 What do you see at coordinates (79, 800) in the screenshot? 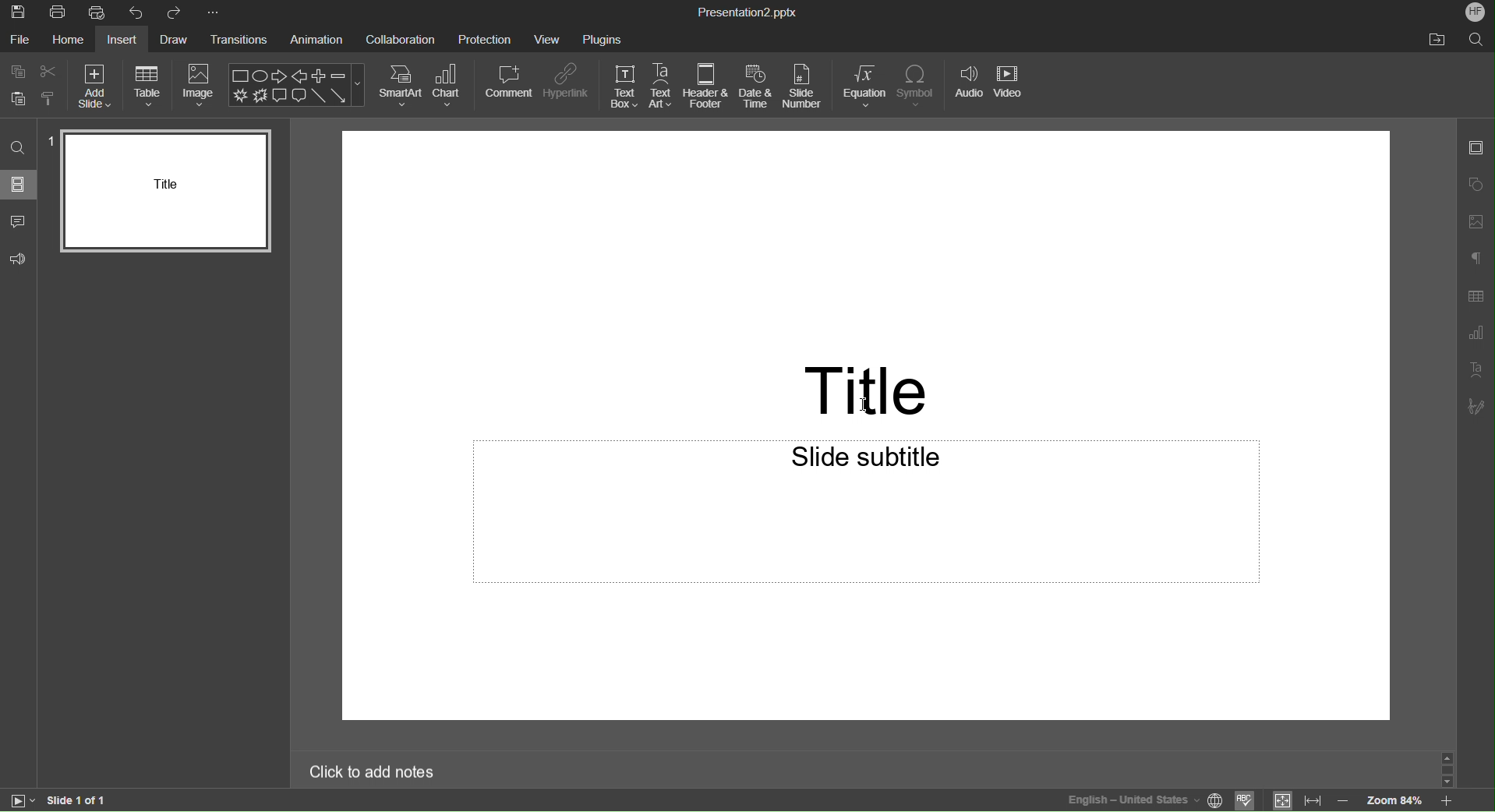
I see `Slide 1 of 1 ` at bounding box center [79, 800].